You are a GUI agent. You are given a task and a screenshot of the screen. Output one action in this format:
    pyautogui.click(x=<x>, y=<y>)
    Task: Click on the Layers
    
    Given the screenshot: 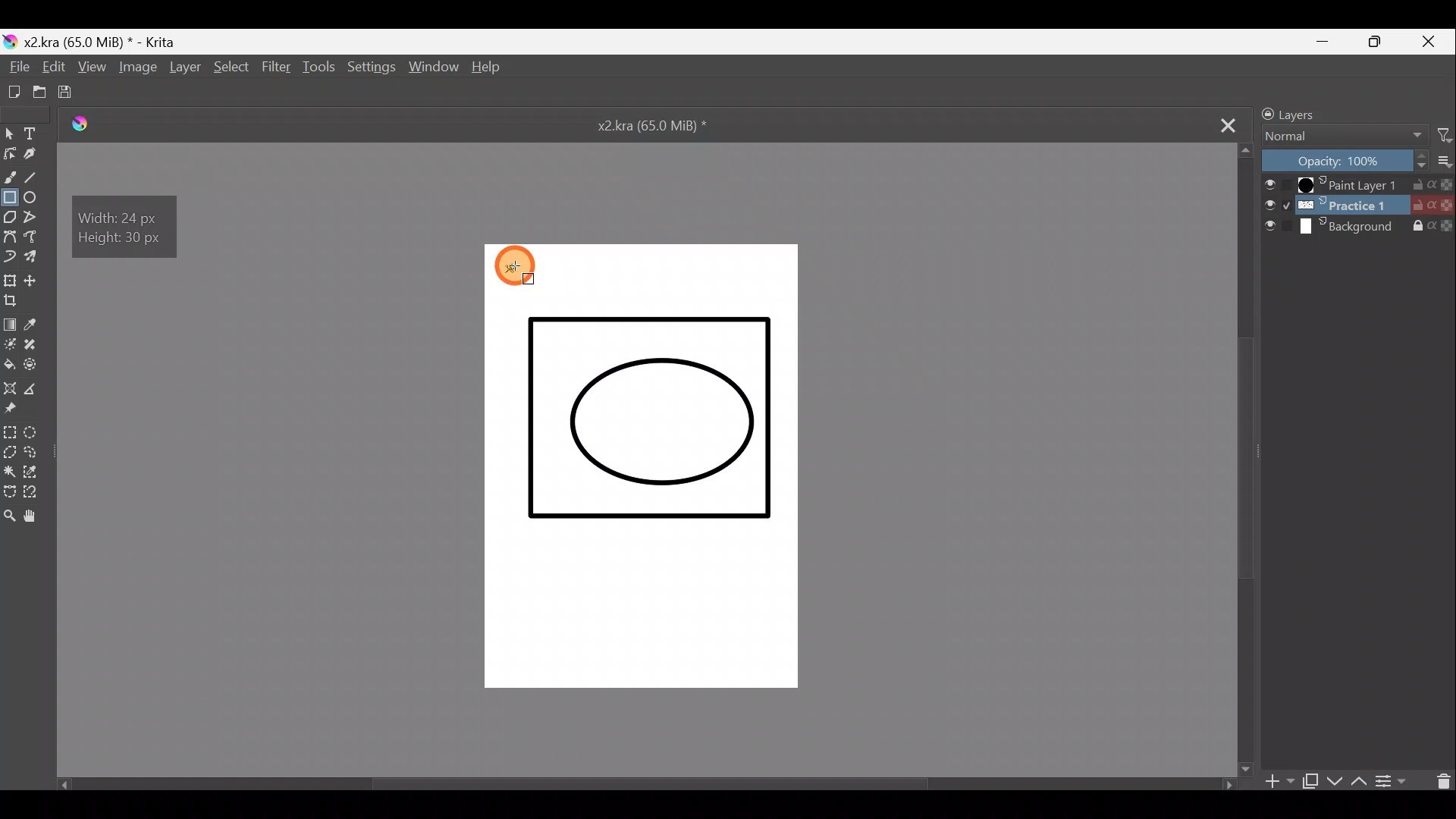 What is the action you would take?
    pyautogui.click(x=1318, y=111)
    